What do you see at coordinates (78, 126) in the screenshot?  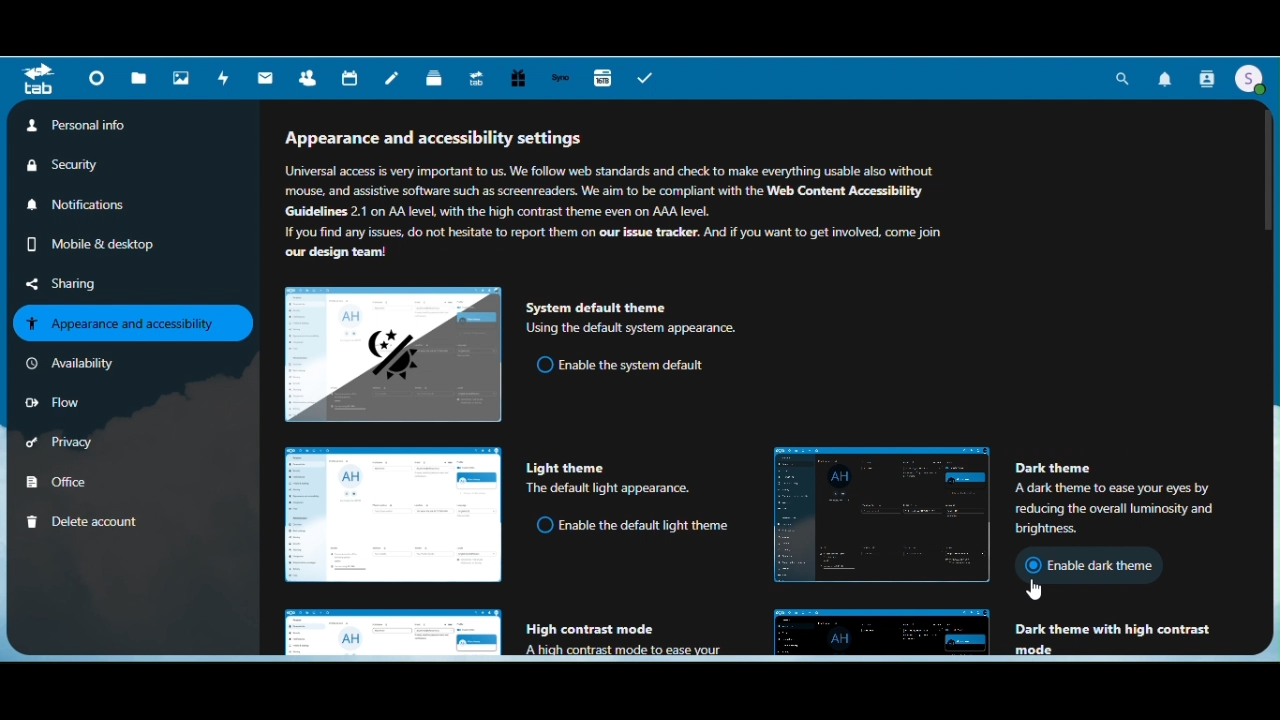 I see `Personal info` at bounding box center [78, 126].